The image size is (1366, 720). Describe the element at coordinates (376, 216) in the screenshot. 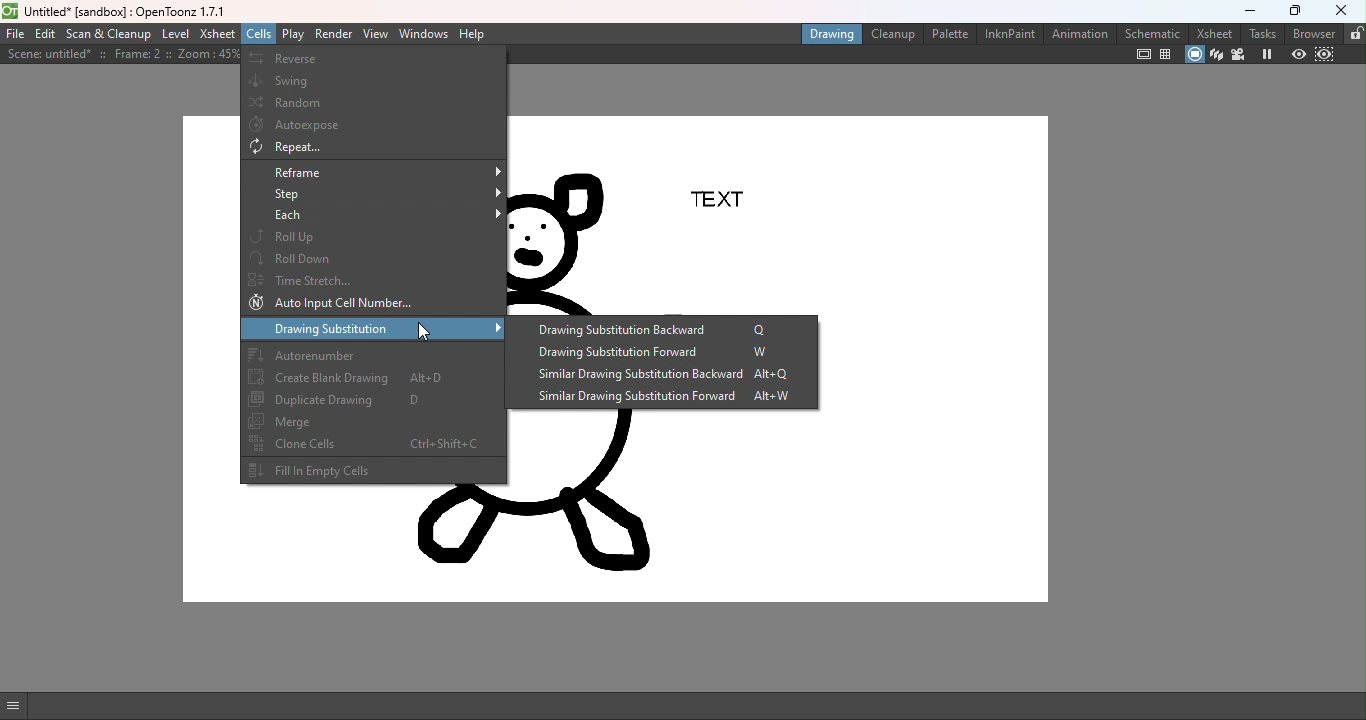

I see `Each` at that location.